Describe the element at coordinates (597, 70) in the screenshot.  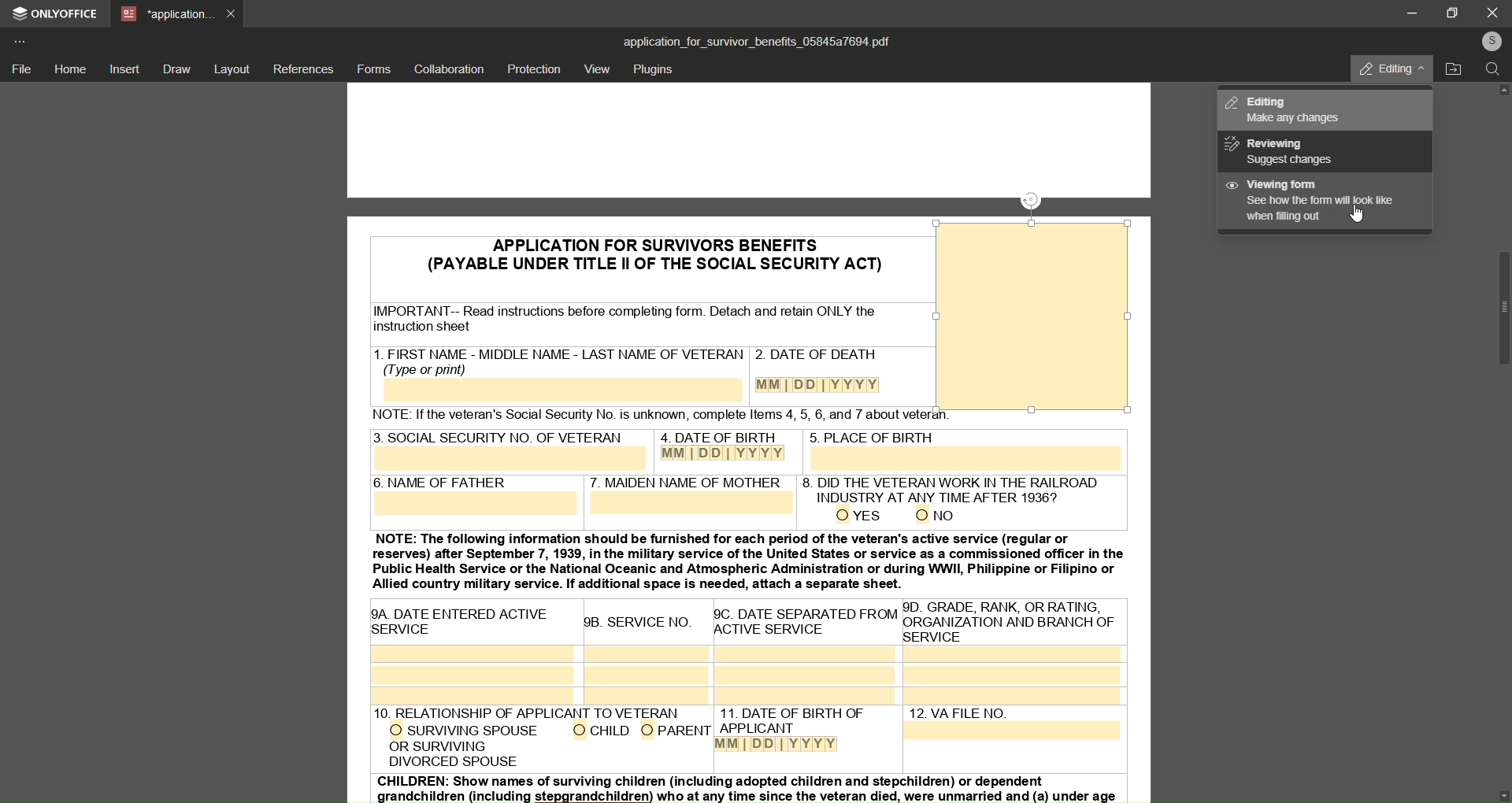
I see `view` at that location.